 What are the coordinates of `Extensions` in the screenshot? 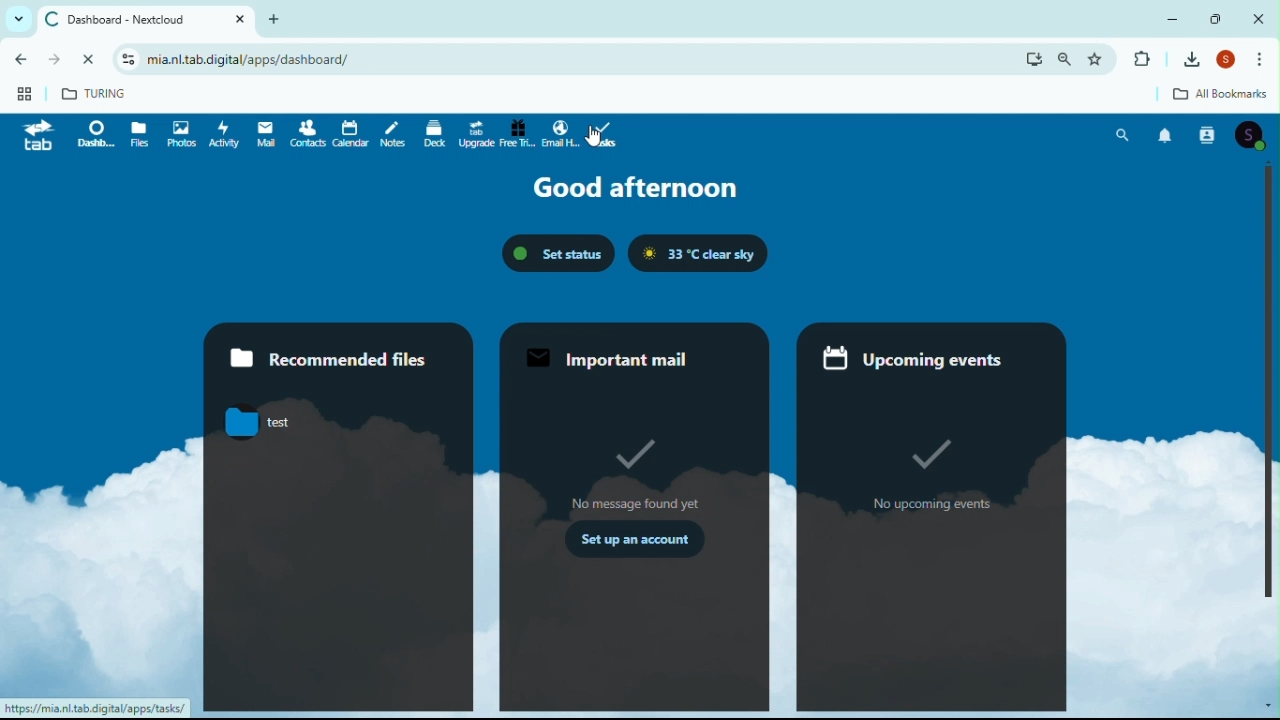 It's located at (1141, 60).